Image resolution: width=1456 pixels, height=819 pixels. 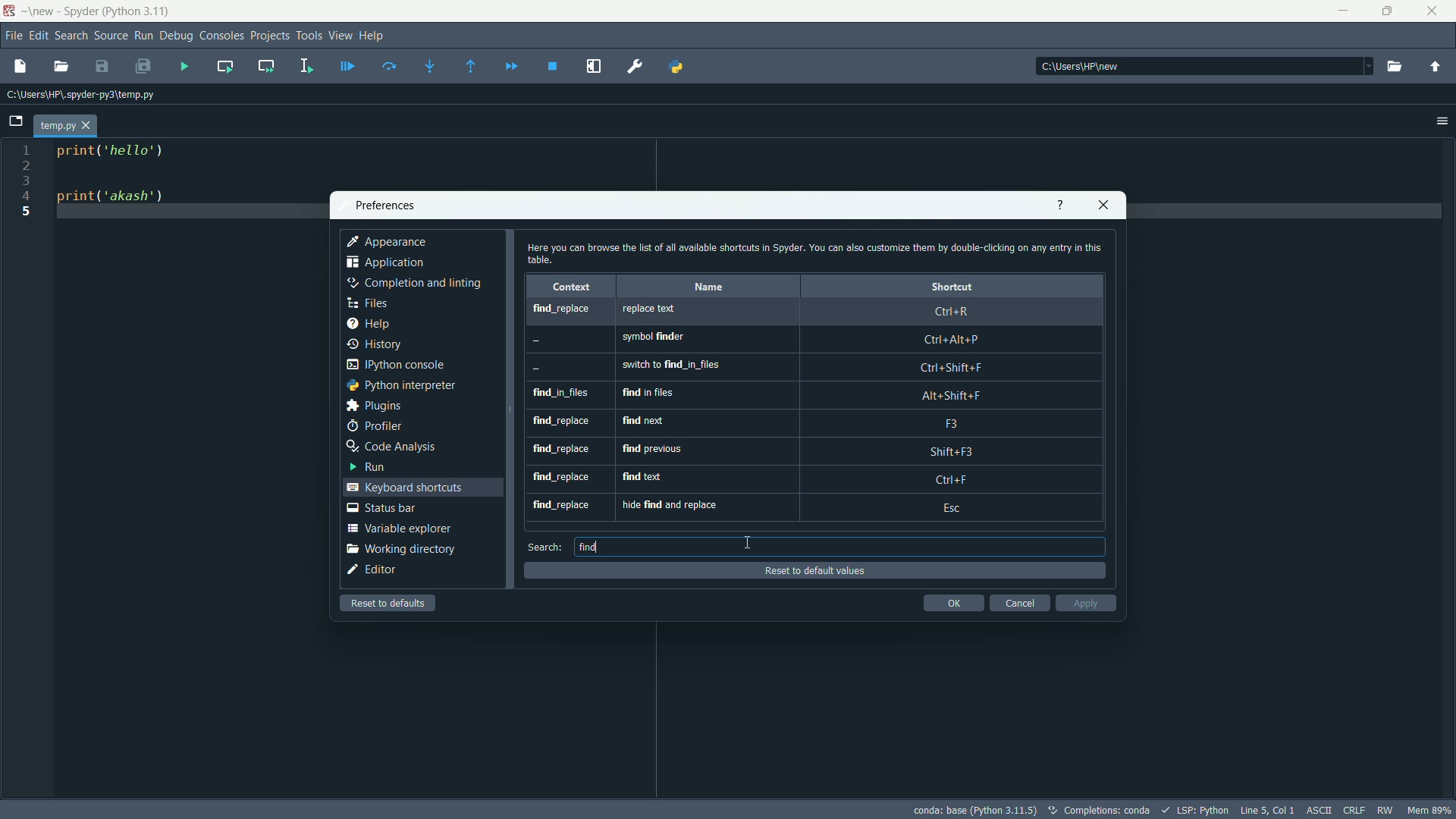 What do you see at coordinates (227, 65) in the screenshot?
I see `run current cell` at bounding box center [227, 65].